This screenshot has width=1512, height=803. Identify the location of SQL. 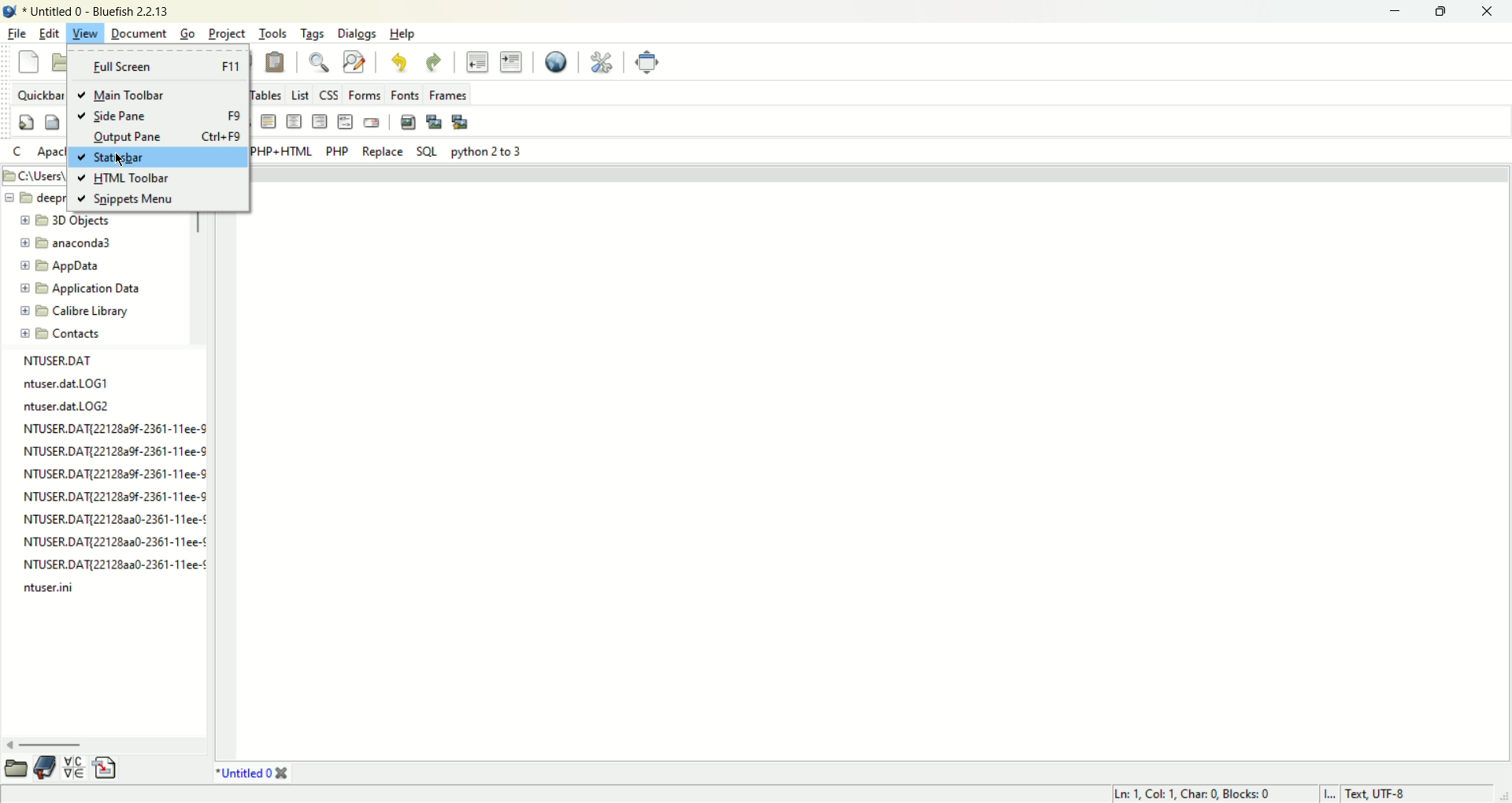
(428, 153).